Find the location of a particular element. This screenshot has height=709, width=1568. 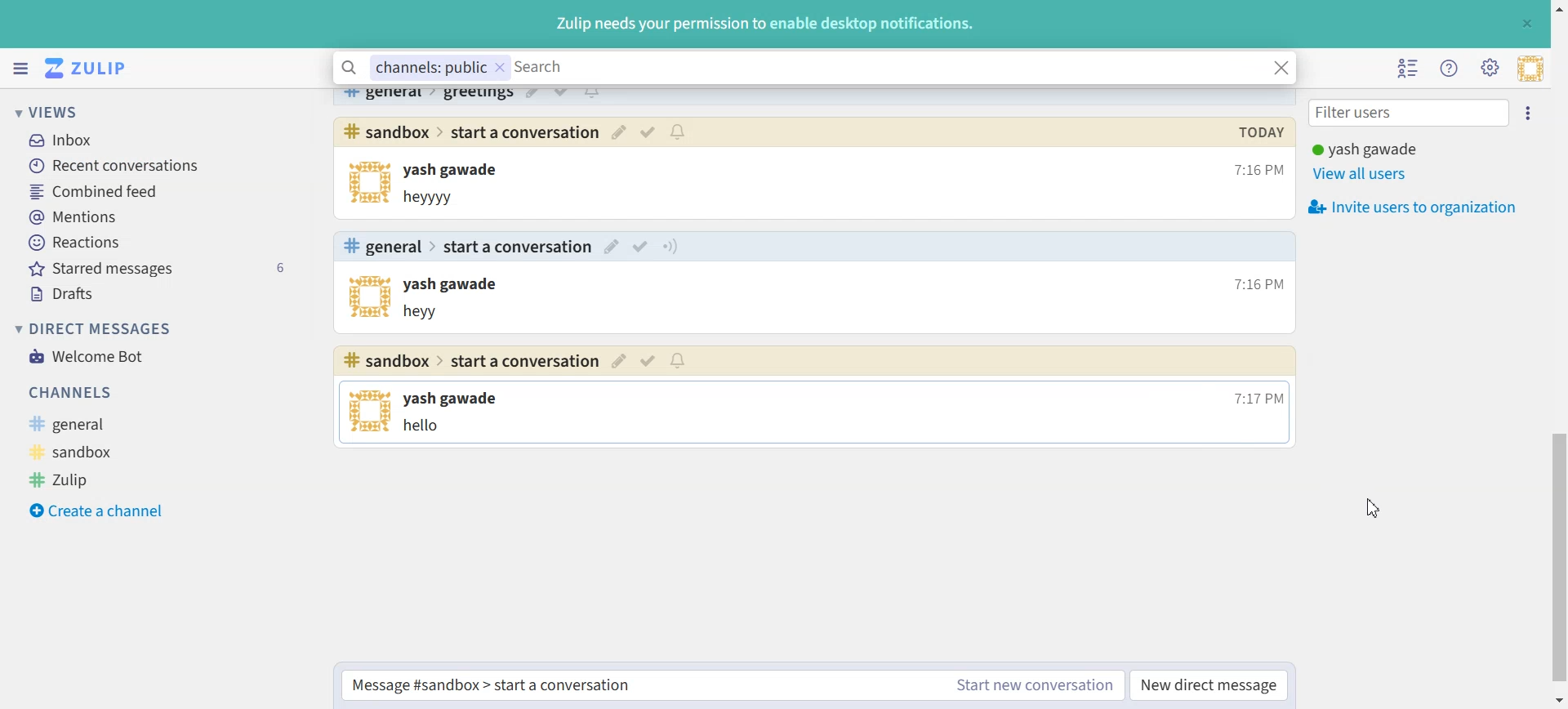

Channels: public is located at coordinates (439, 68).